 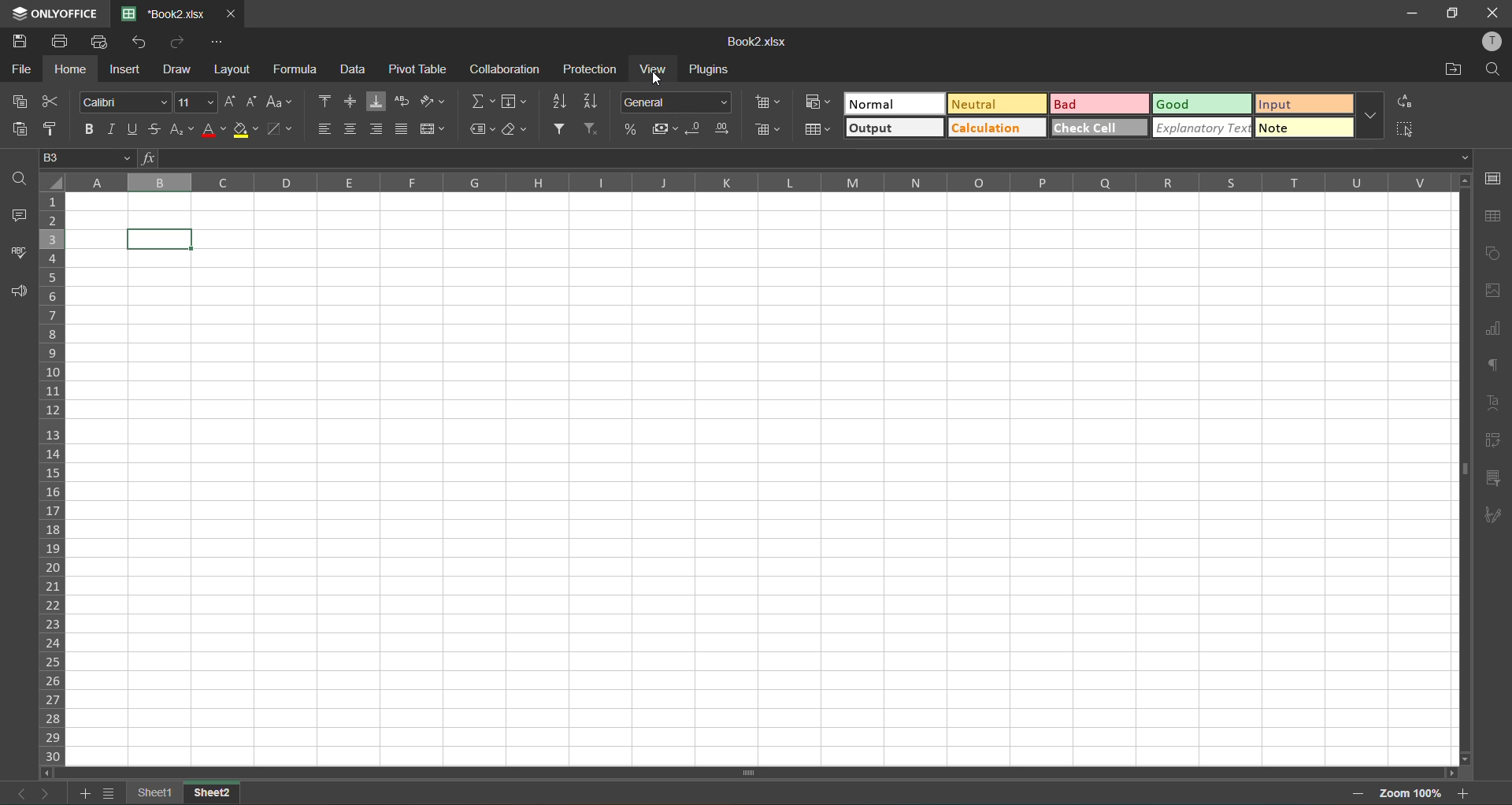 I want to click on quick print, so click(x=100, y=44).